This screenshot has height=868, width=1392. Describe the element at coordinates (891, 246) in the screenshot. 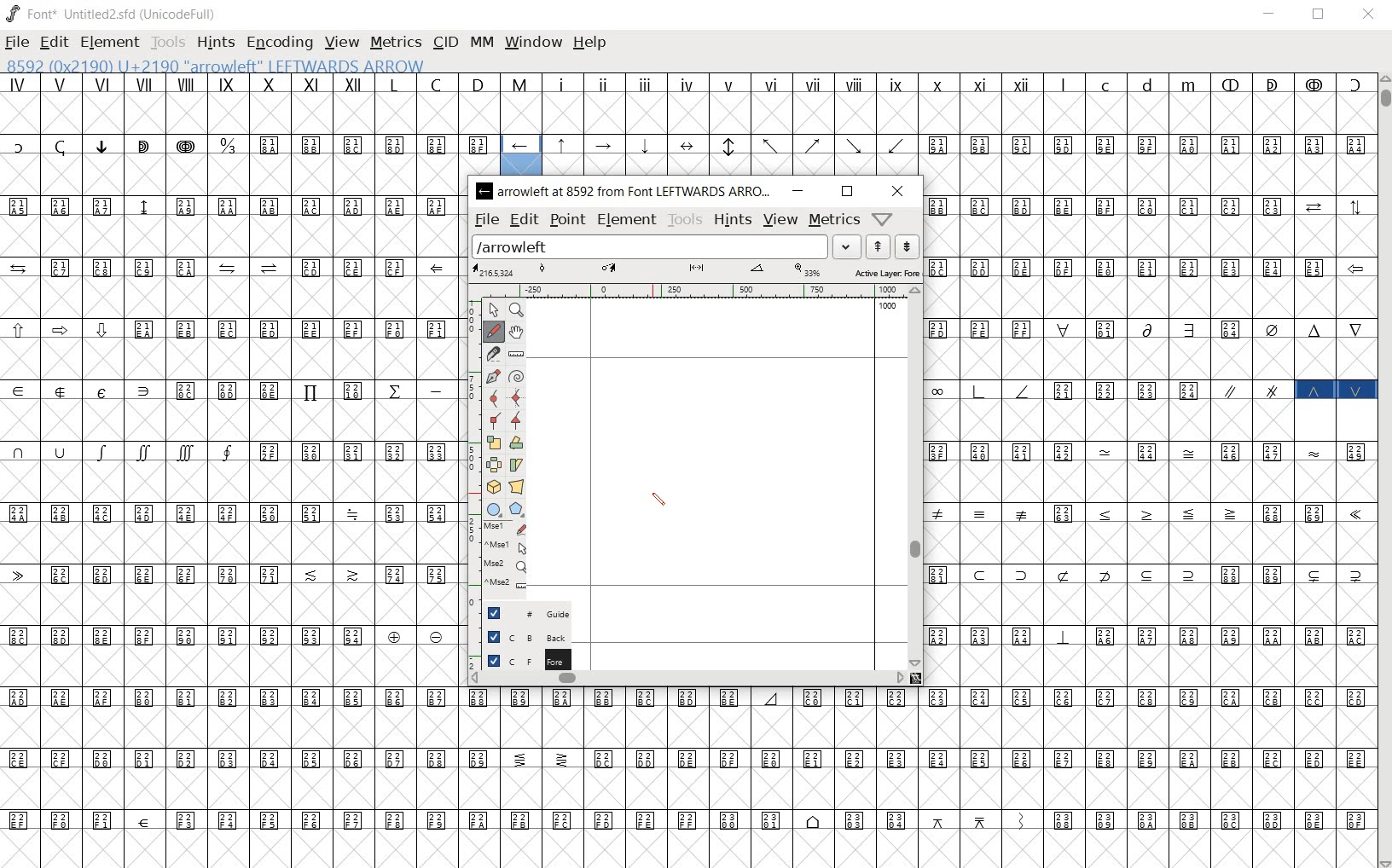

I see `show the next/previous word on the list` at that location.